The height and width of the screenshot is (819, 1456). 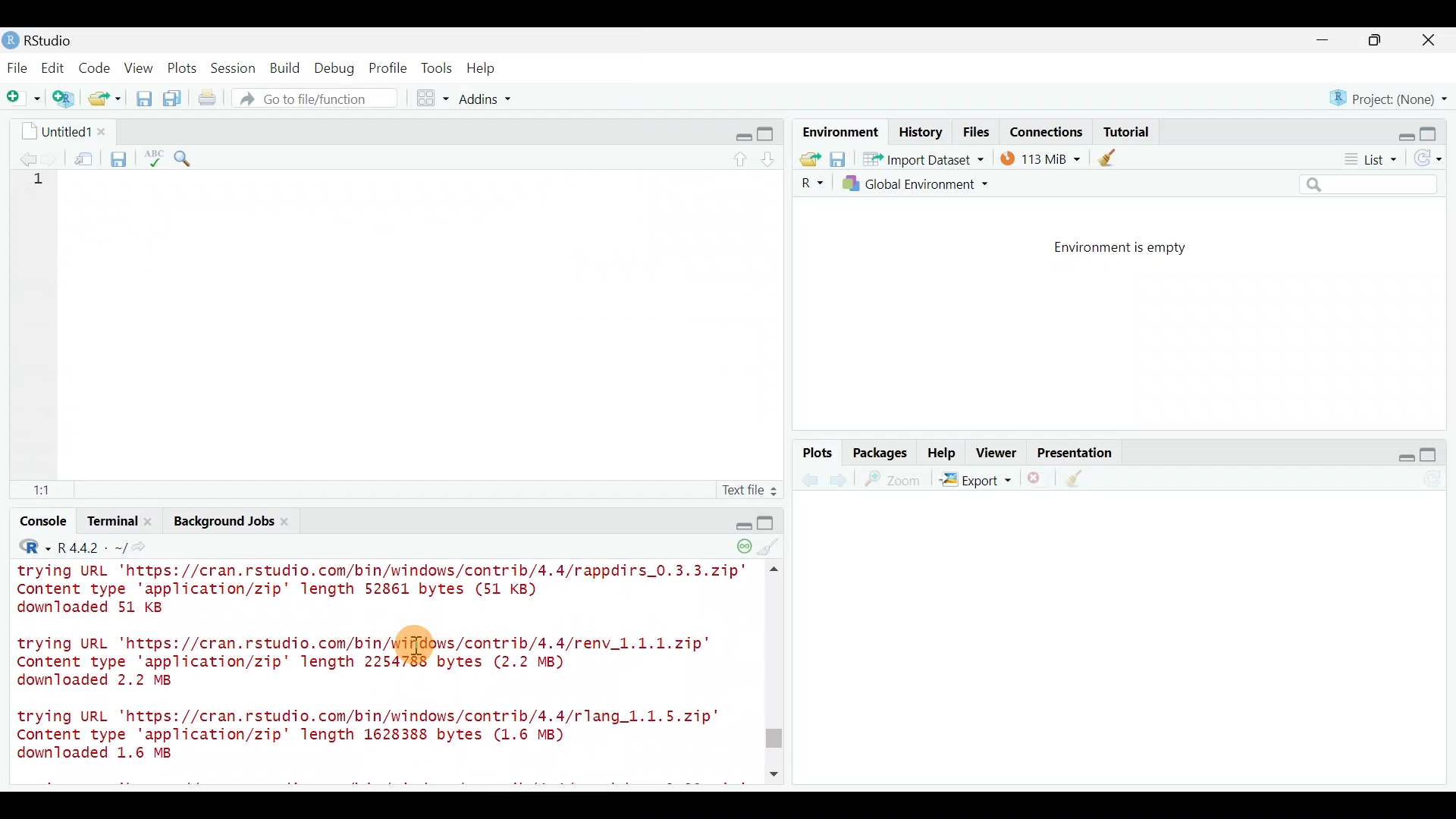 What do you see at coordinates (434, 99) in the screenshot?
I see `Workspace panes` at bounding box center [434, 99].